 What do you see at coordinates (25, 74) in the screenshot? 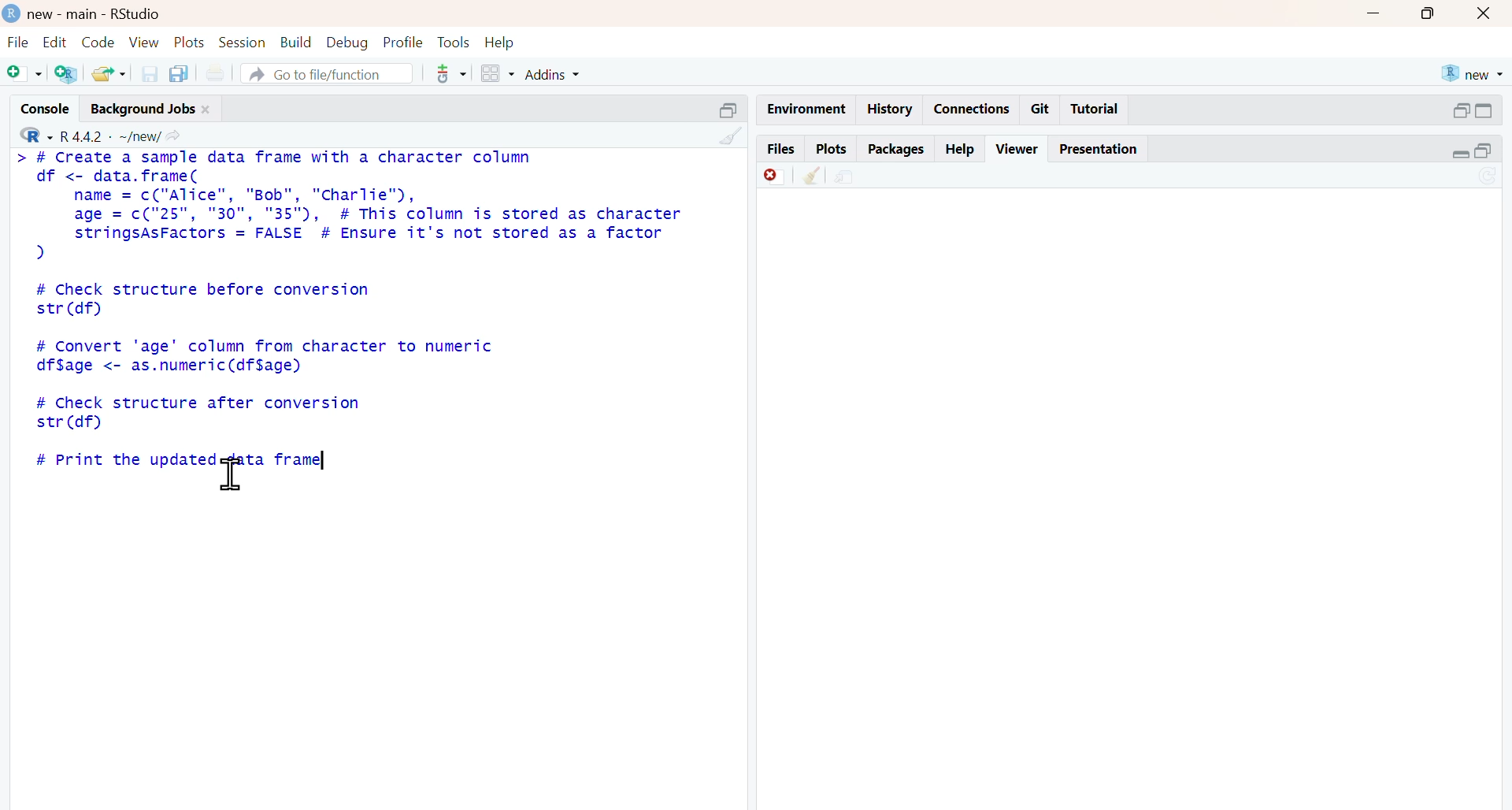
I see `add file as` at bounding box center [25, 74].